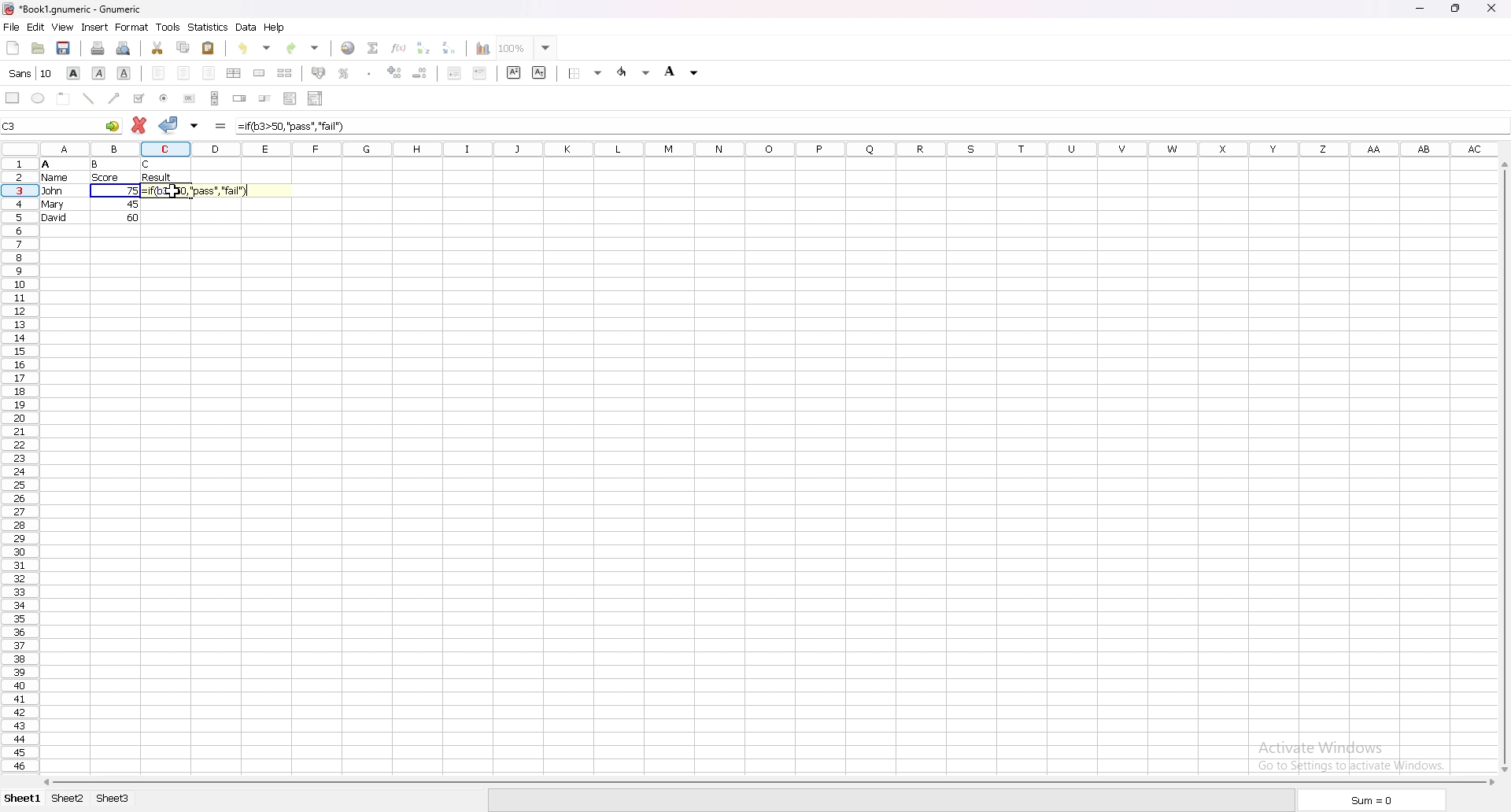 This screenshot has height=812, width=1511. Describe the element at coordinates (158, 73) in the screenshot. I see `align left` at that location.